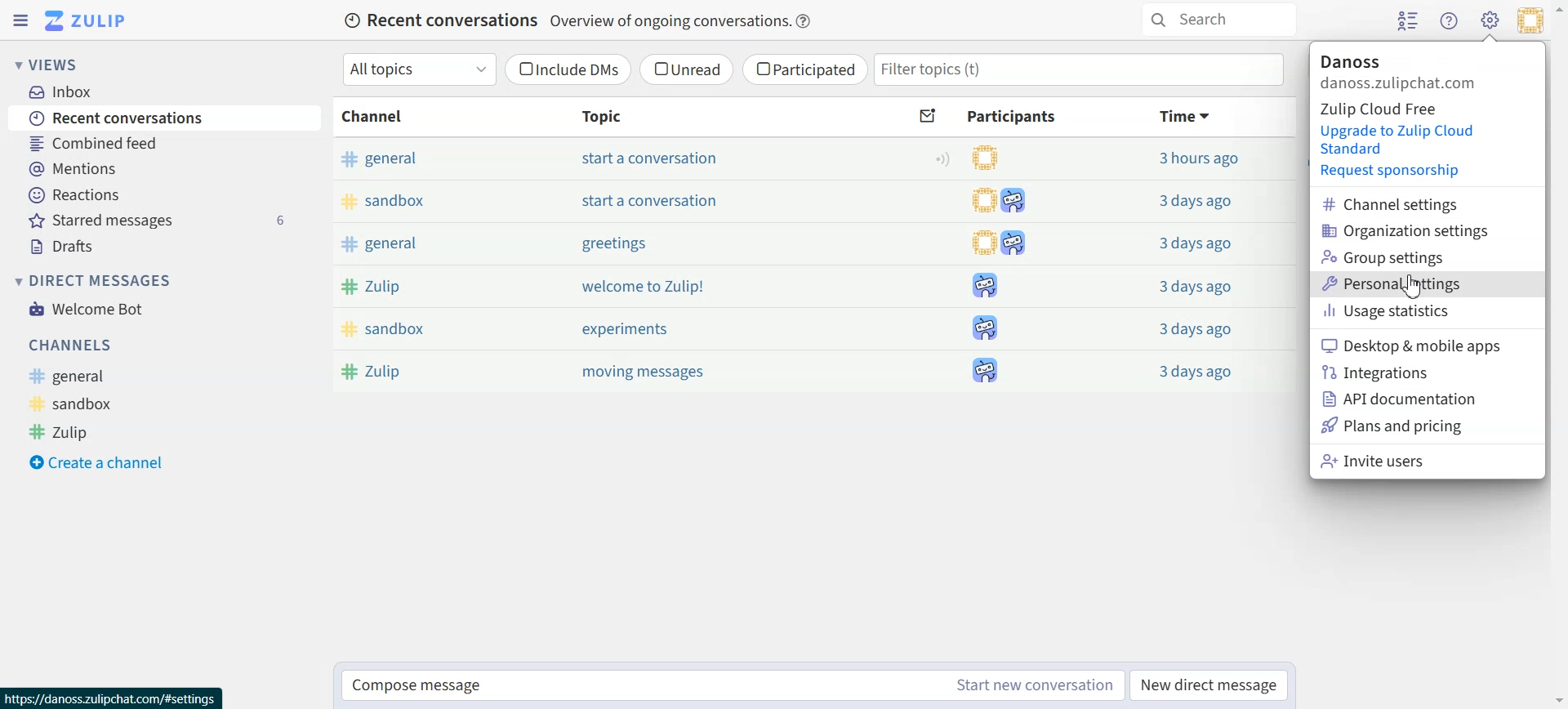 This screenshot has height=709, width=1568. What do you see at coordinates (1427, 461) in the screenshot?
I see `Invite users` at bounding box center [1427, 461].